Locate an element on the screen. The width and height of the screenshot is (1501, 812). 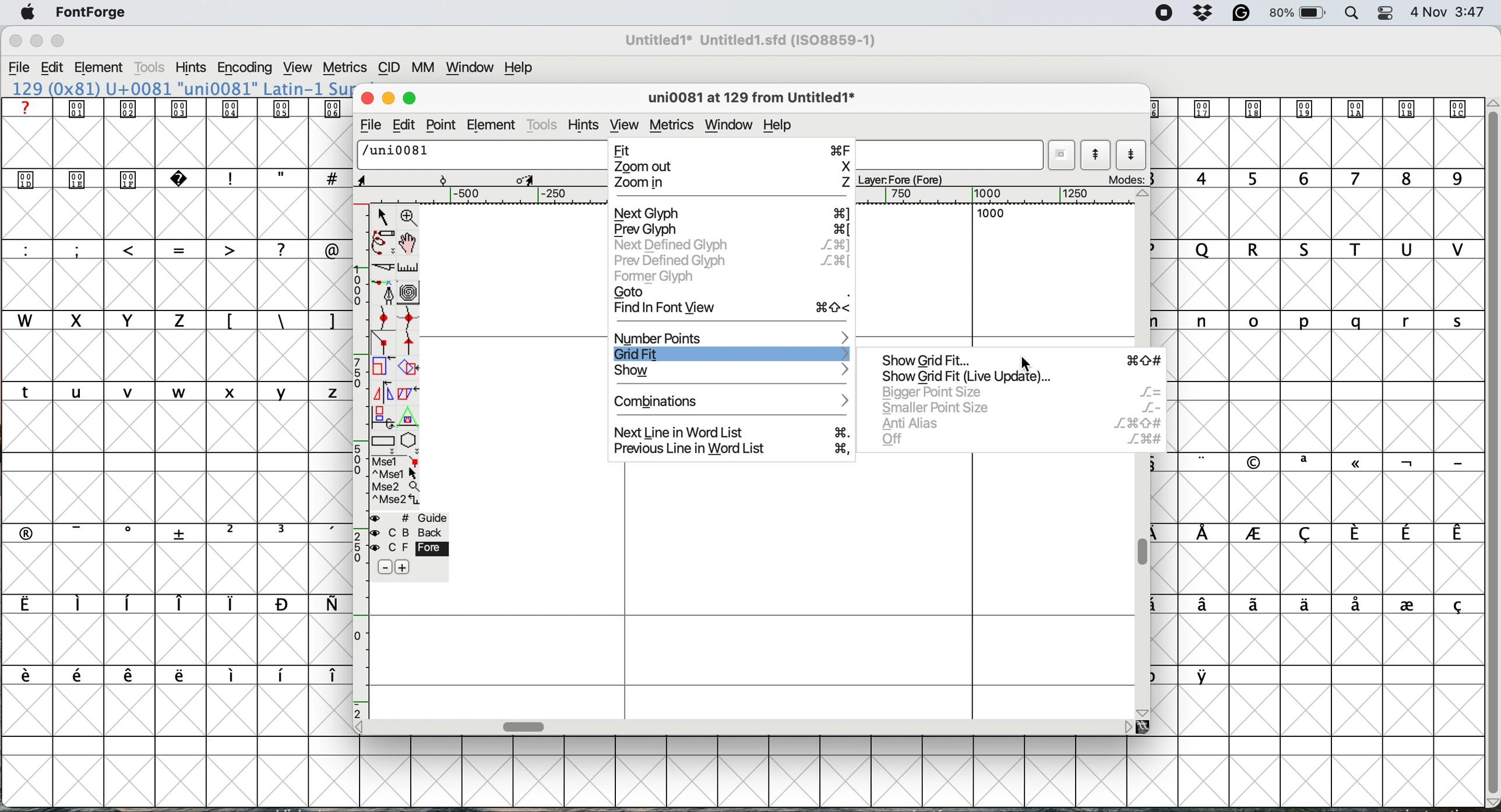
add is located at coordinates (407, 567).